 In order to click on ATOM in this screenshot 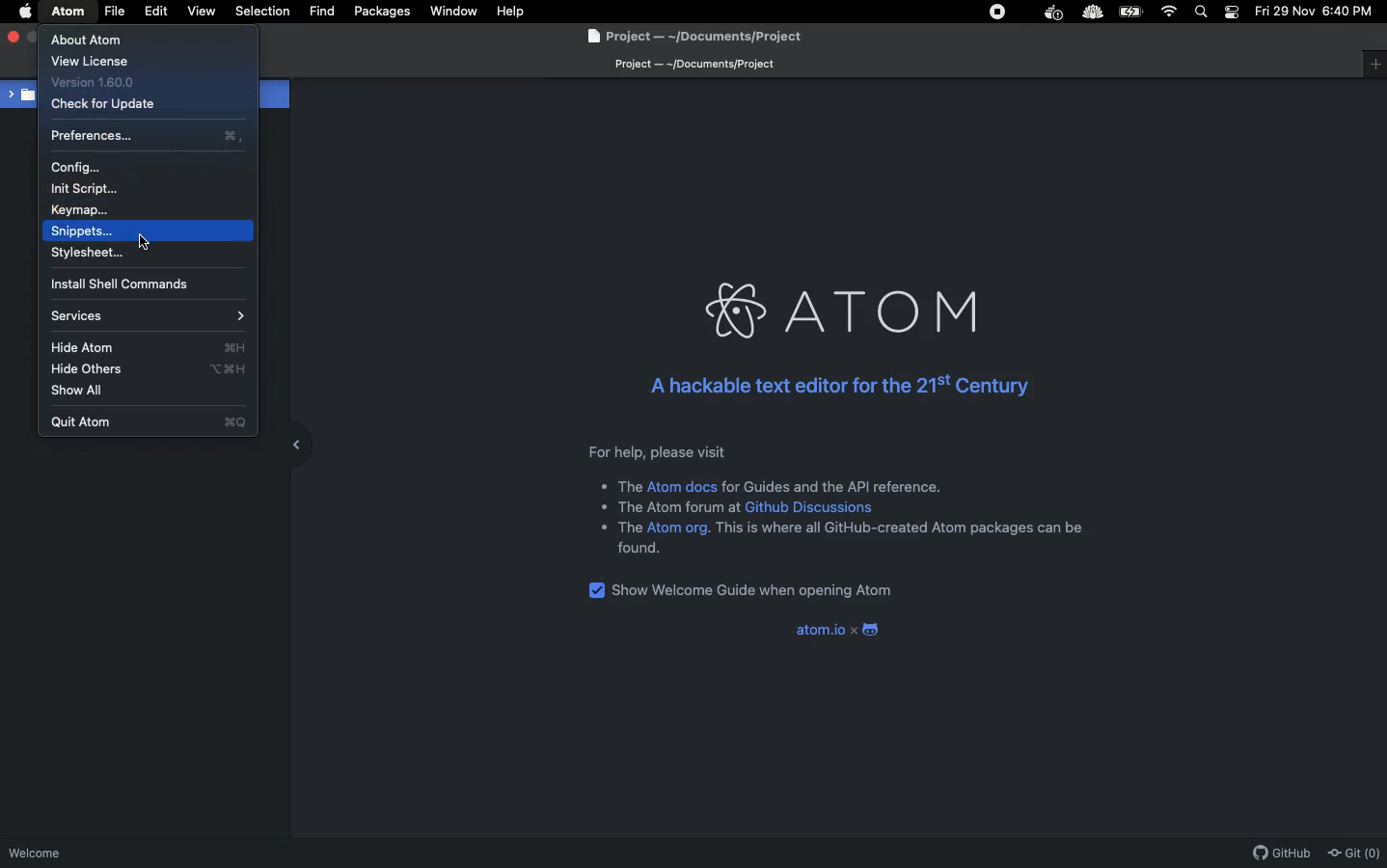, I will do `click(68, 12)`.